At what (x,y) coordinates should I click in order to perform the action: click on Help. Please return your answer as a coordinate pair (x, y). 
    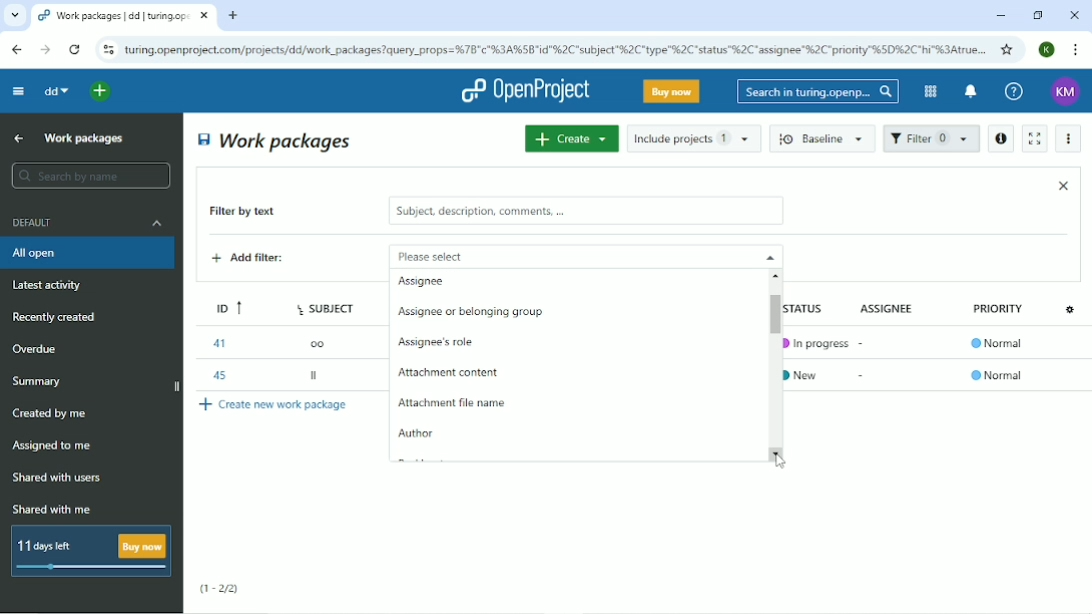
    Looking at the image, I should click on (1014, 92).